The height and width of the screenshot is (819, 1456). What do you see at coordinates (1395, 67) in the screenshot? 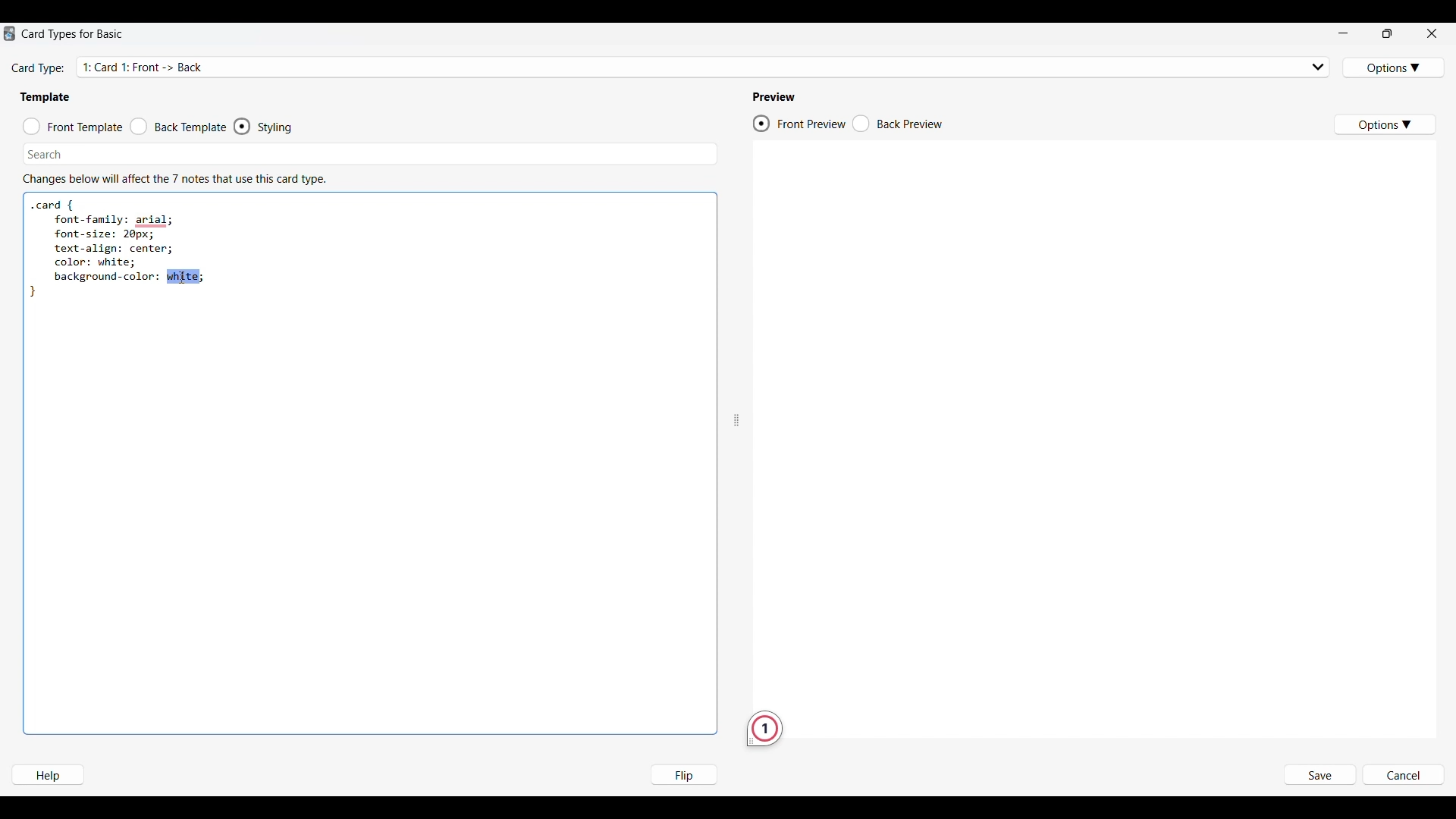
I see `Card type options` at bounding box center [1395, 67].